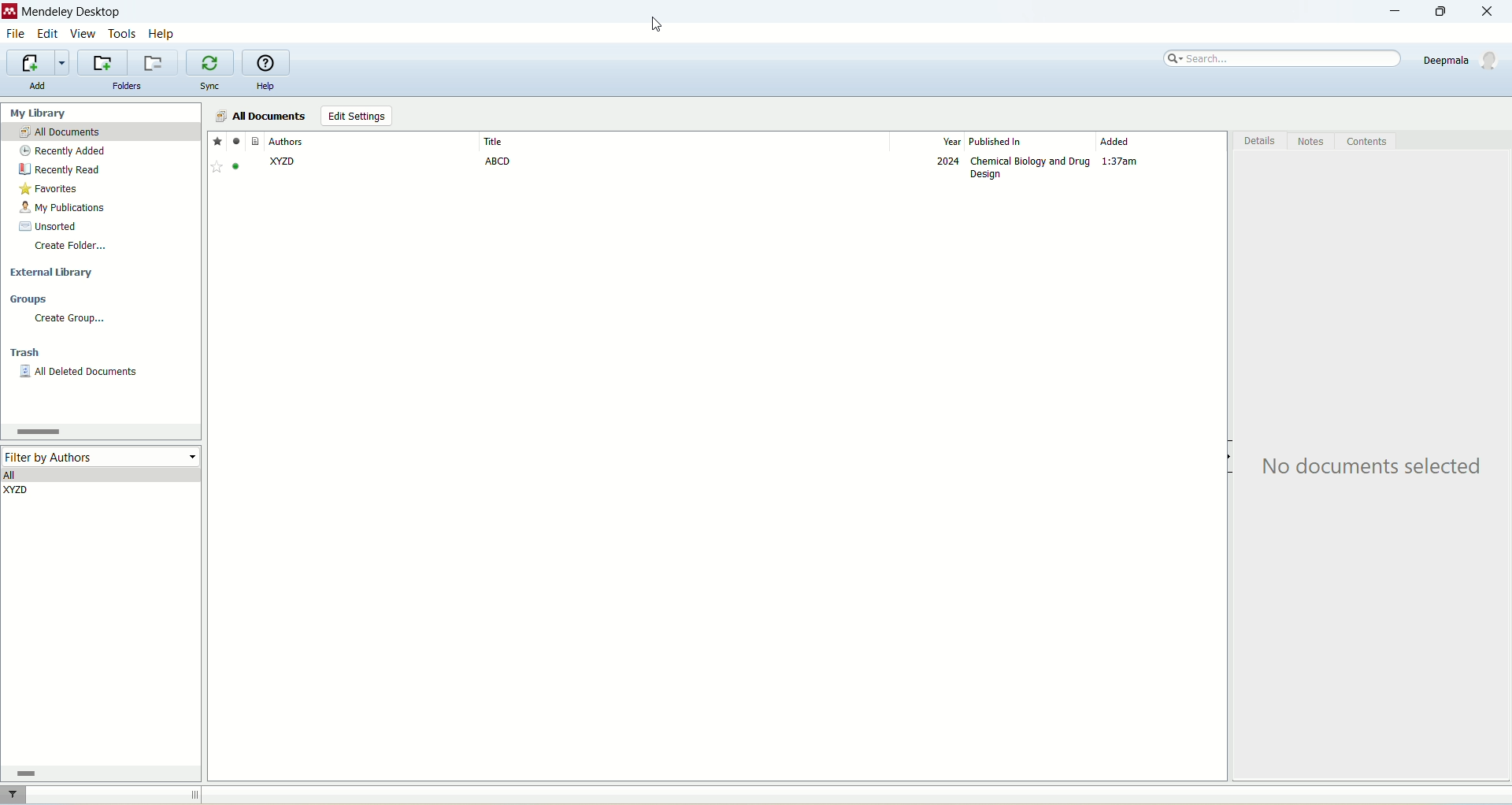  What do you see at coordinates (230, 165) in the screenshot?
I see `Favorite - active` at bounding box center [230, 165].